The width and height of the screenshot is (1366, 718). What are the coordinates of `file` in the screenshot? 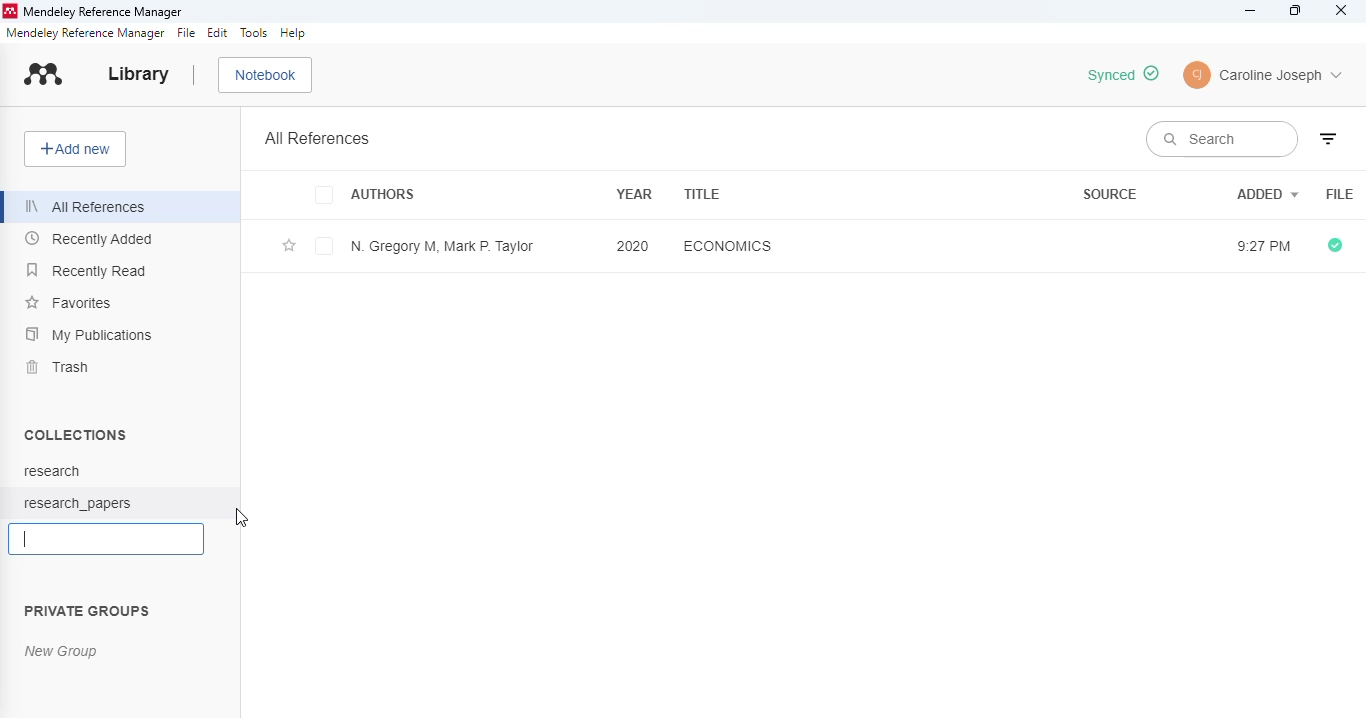 It's located at (1340, 195).